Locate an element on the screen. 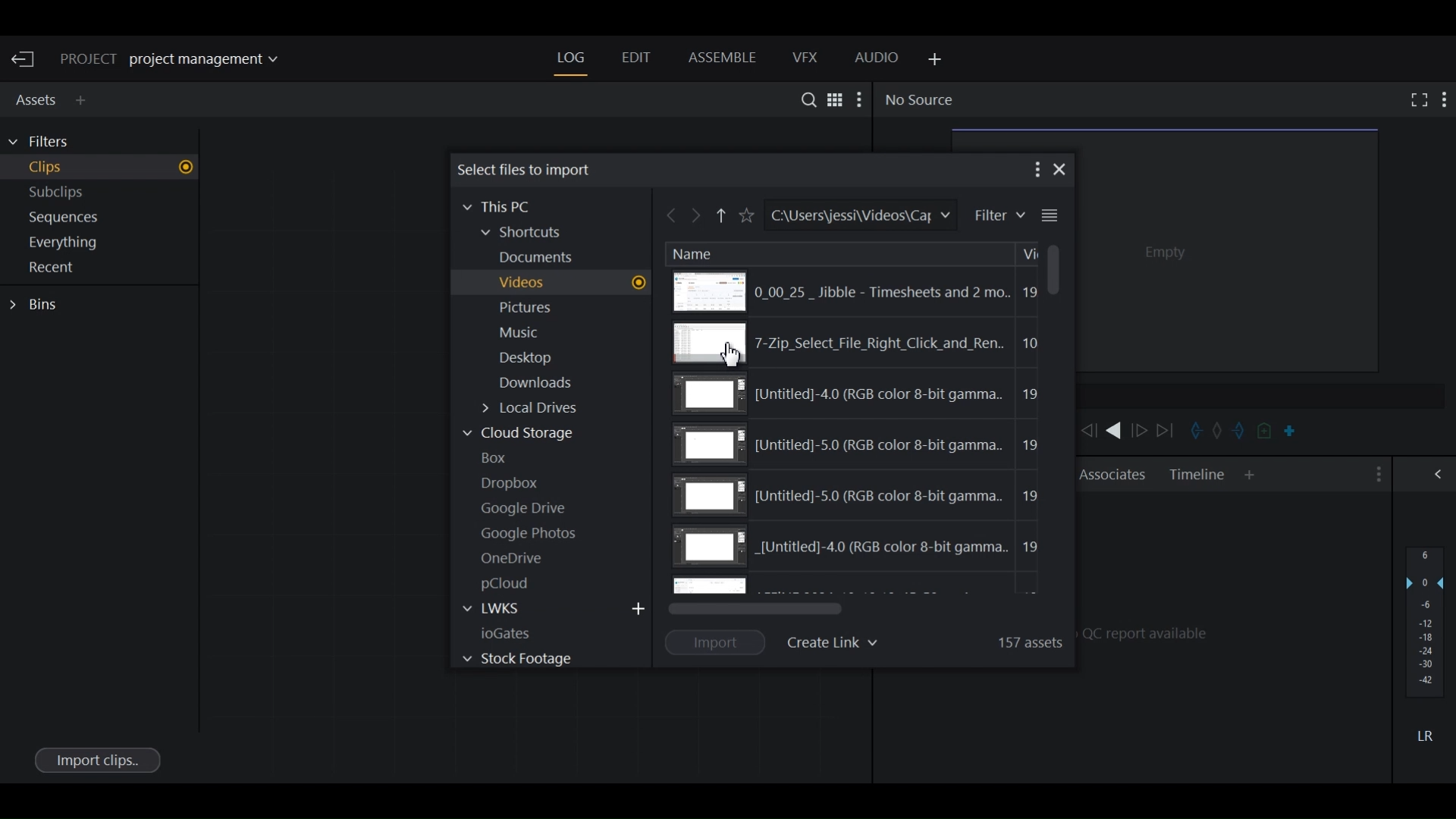 The width and height of the screenshot is (1456, 819). Show everything in current project is located at coordinates (103, 244).